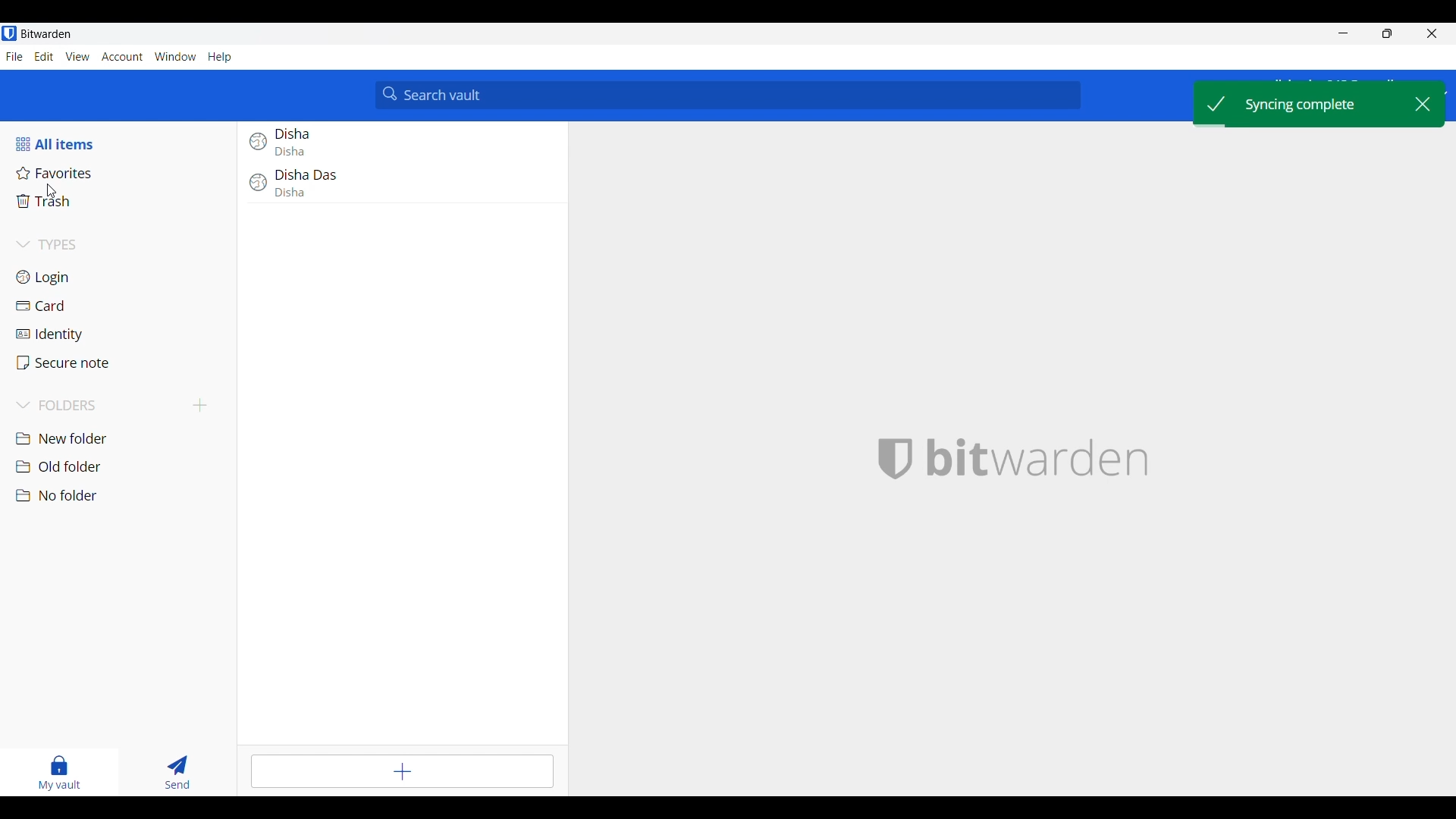 This screenshot has width=1456, height=819. Describe the element at coordinates (52, 191) in the screenshot. I see `Cursor position unchanged` at that location.